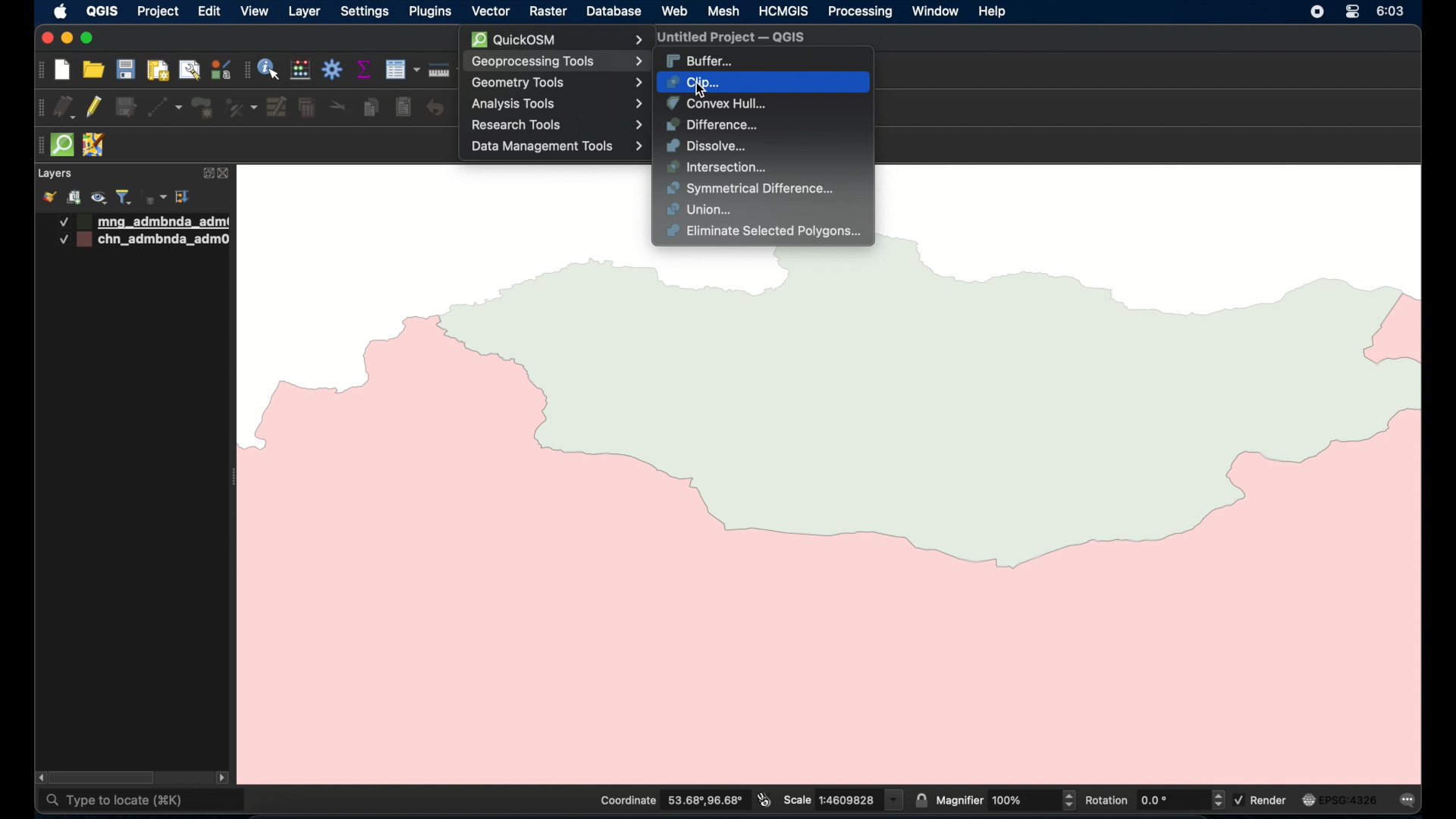 This screenshot has width=1456, height=819. Describe the element at coordinates (93, 106) in the screenshot. I see `toggle editing` at that location.